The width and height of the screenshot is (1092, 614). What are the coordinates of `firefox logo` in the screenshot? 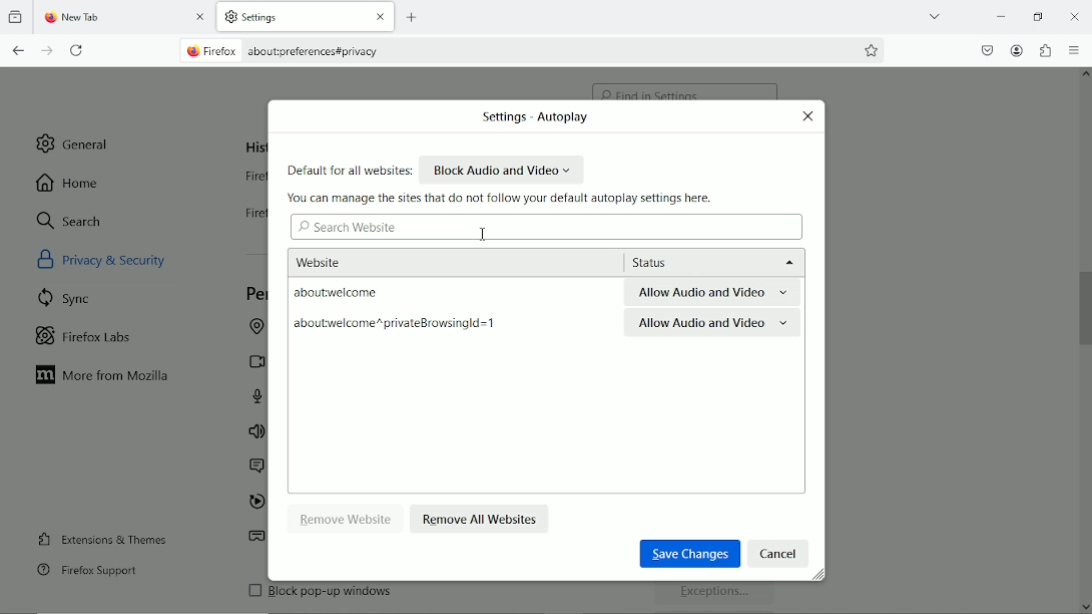 It's located at (191, 52).